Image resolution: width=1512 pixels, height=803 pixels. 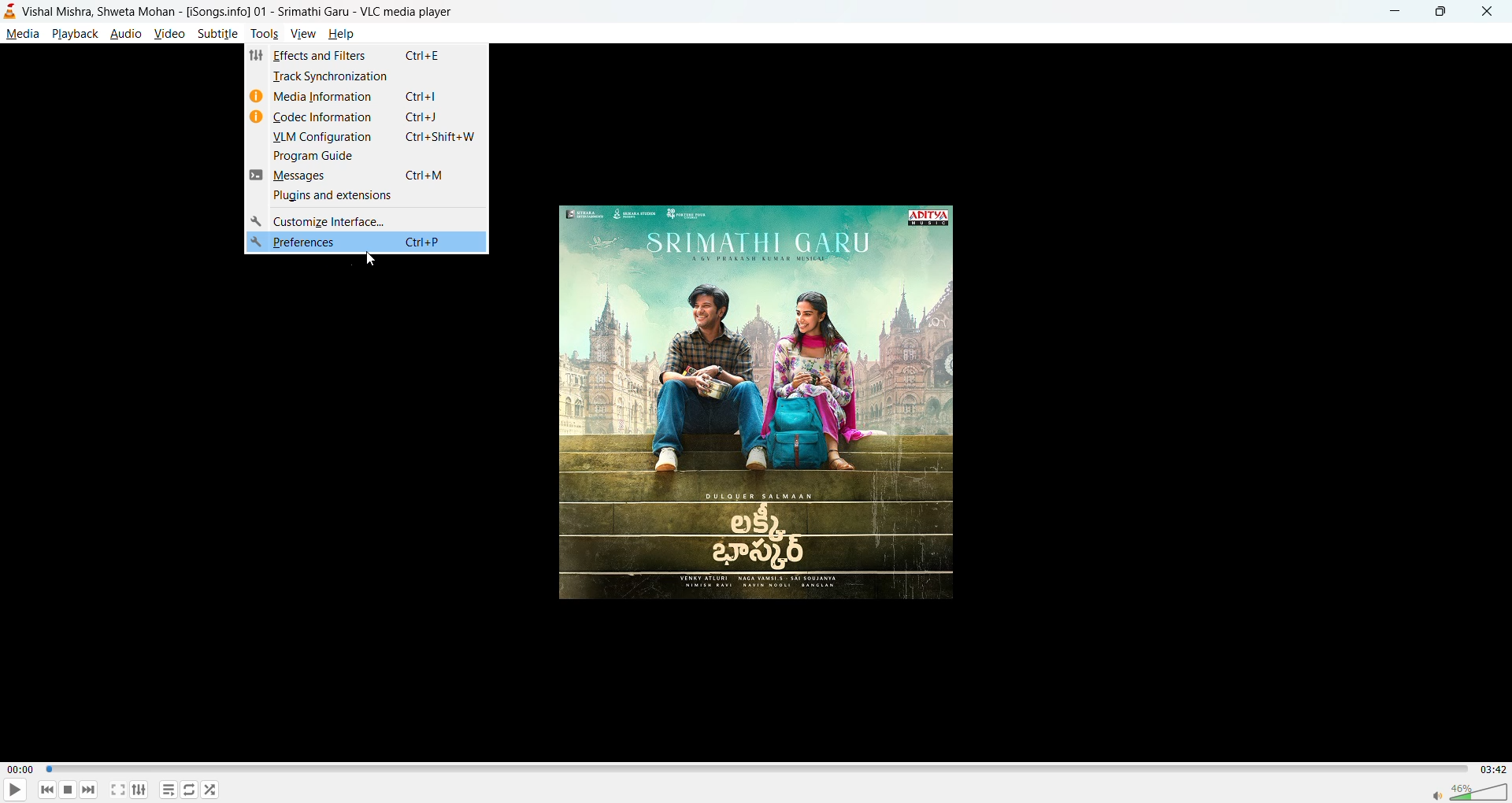 What do you see at coordinates (210, 789) in the screenshot?
I see `random` at bounding box center [210, 789].